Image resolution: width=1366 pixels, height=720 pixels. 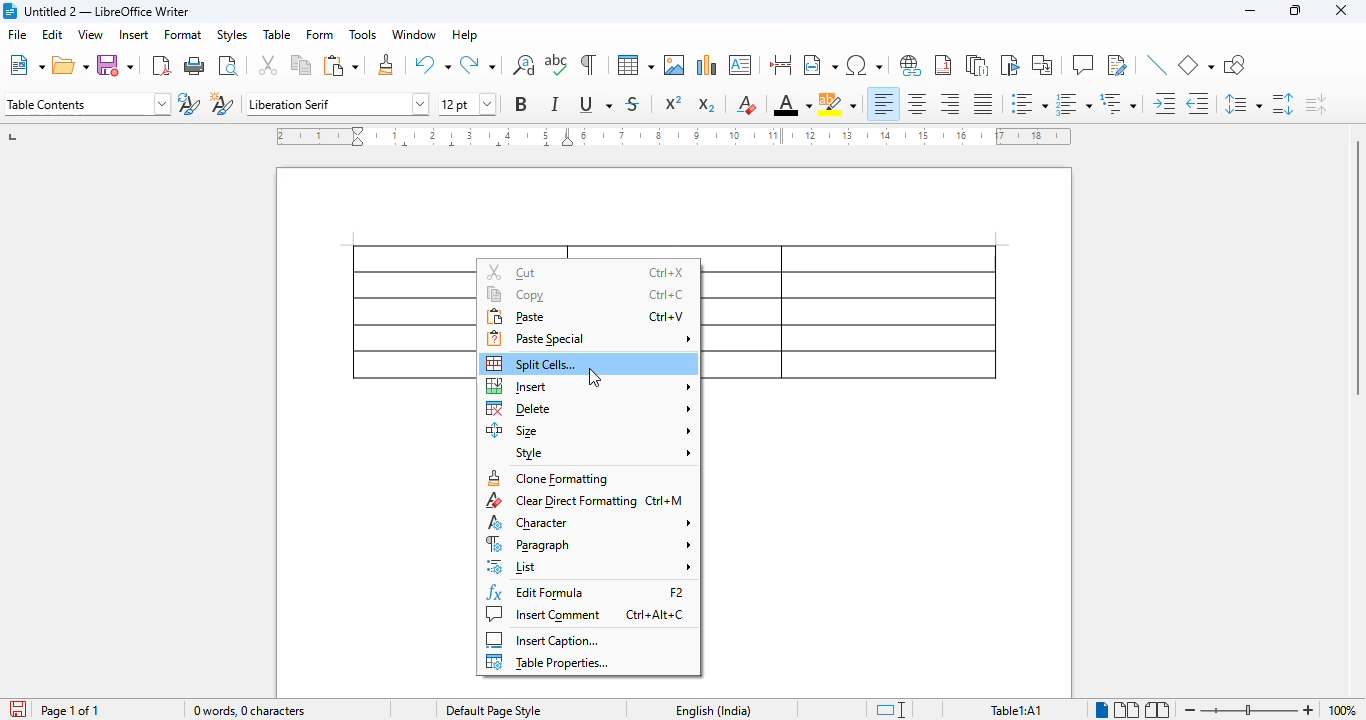 I want to click on size, so click(x=589, y=430).